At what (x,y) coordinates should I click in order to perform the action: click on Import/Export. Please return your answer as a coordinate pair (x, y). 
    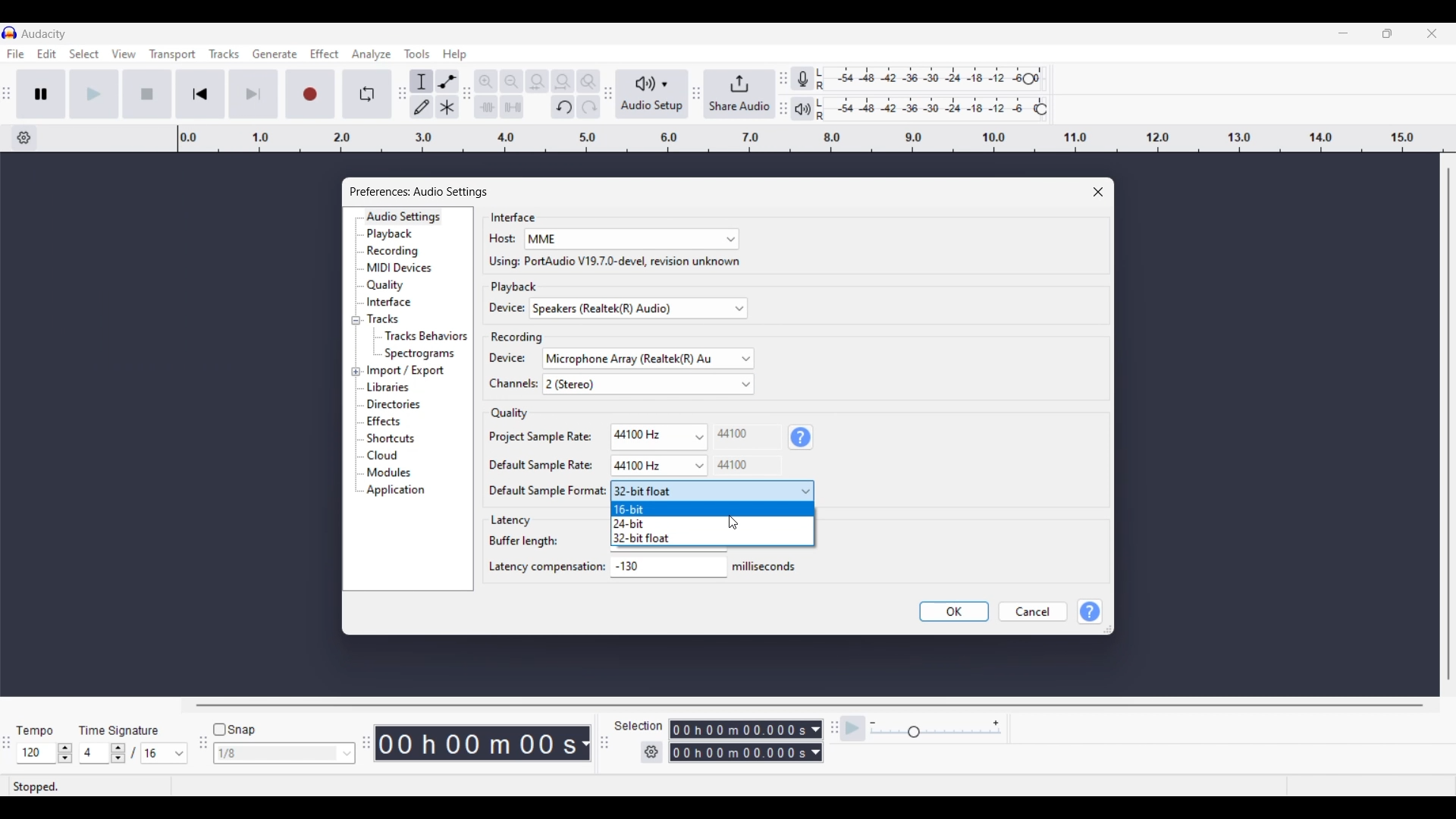
    Looking at the image, I should click on (409, 371).